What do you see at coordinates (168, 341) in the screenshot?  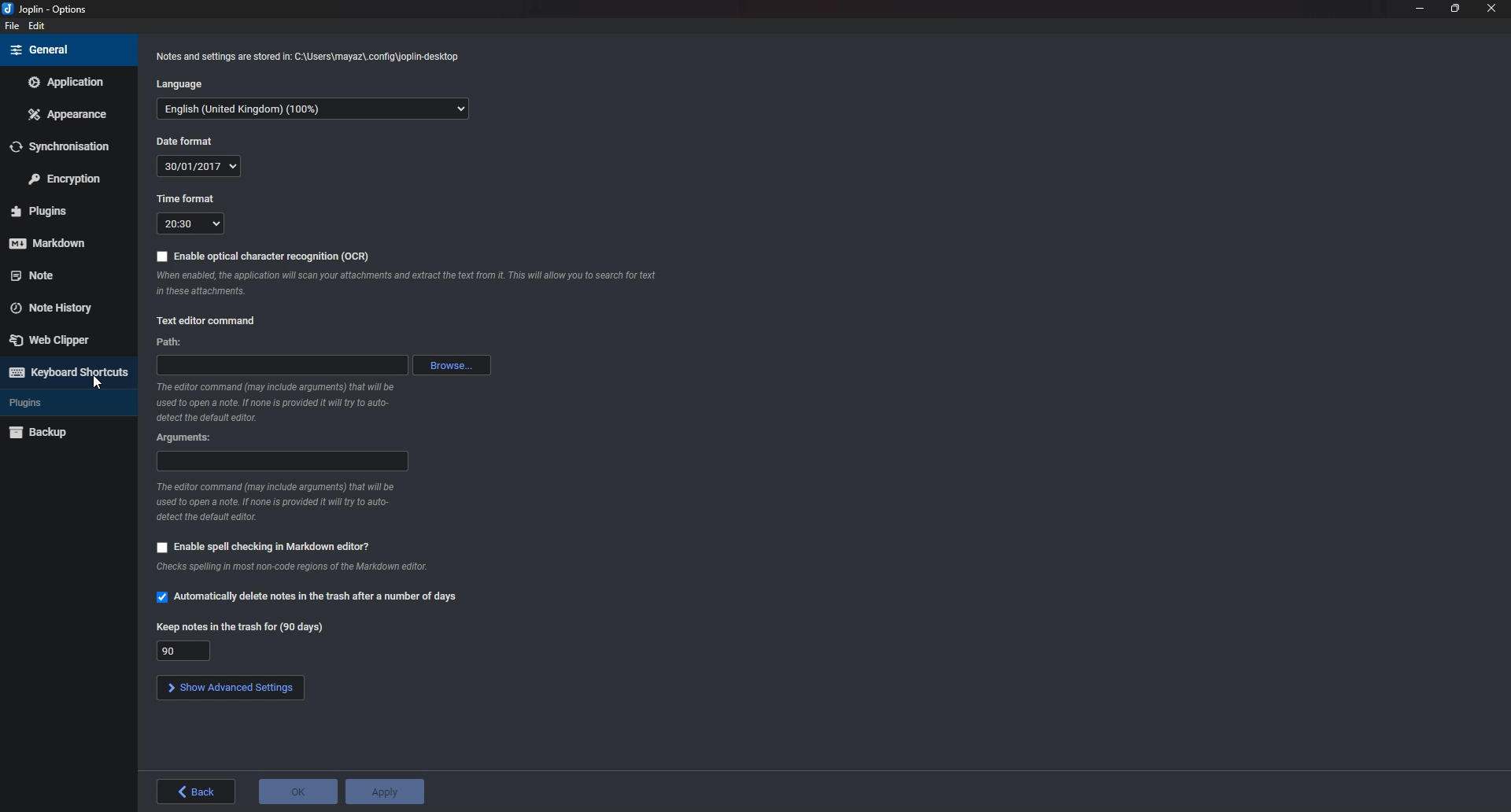 I see `path` at bounding box center [168, 341].